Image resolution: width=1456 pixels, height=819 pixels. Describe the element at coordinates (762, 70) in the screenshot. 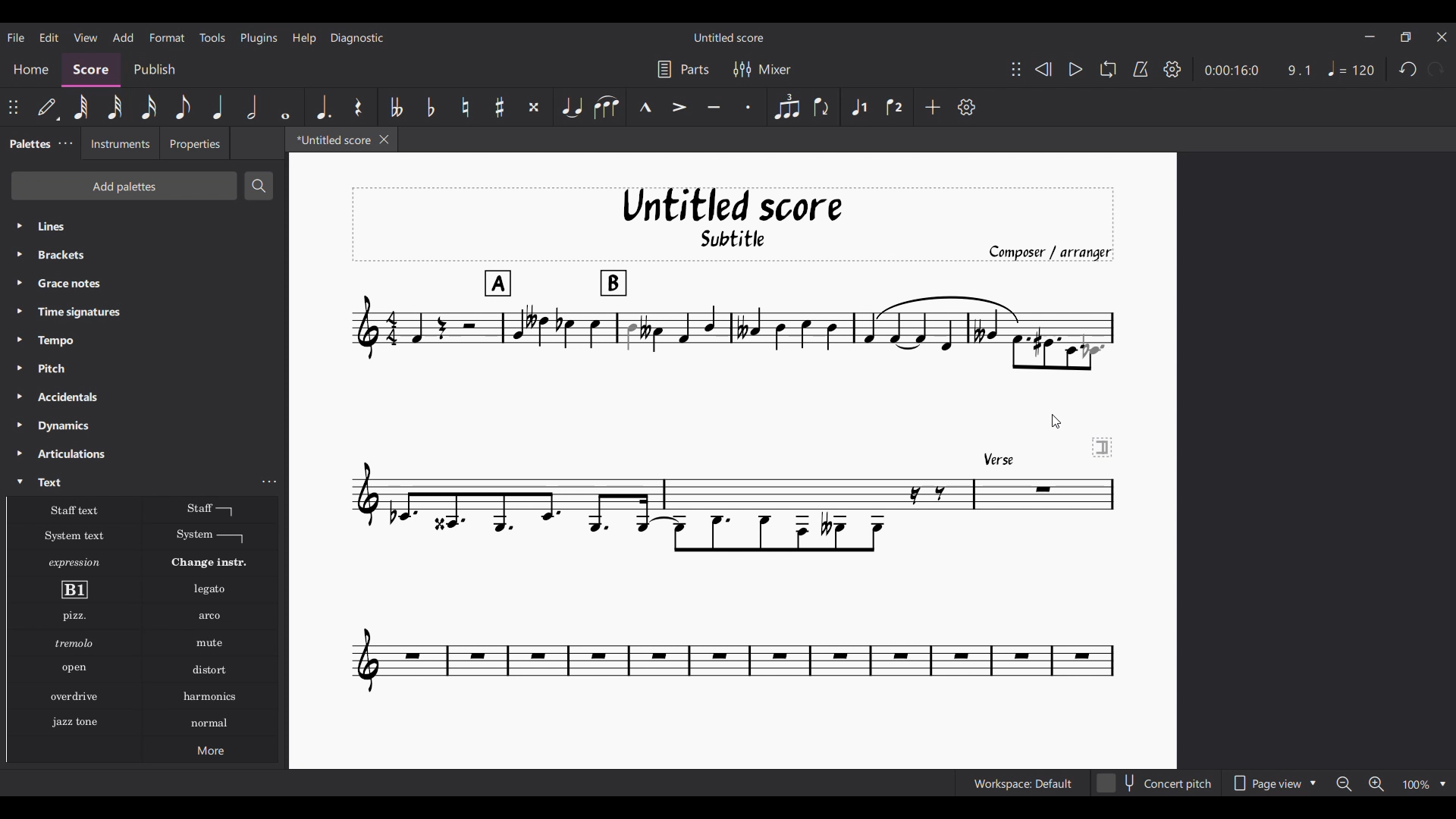

I see `Mixer settings` at that location.